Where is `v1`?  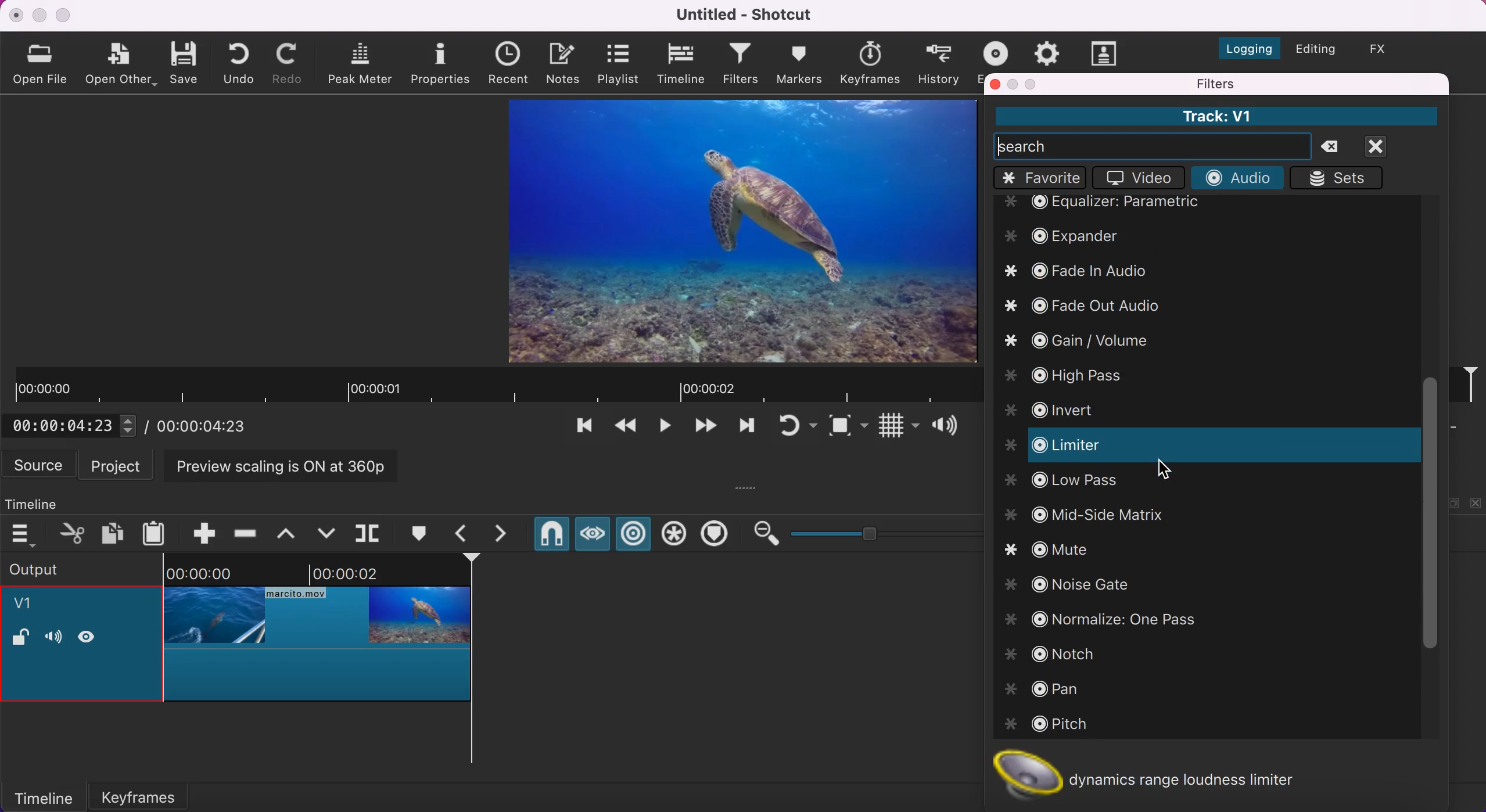
v1 is located at coordinates (30, 605).